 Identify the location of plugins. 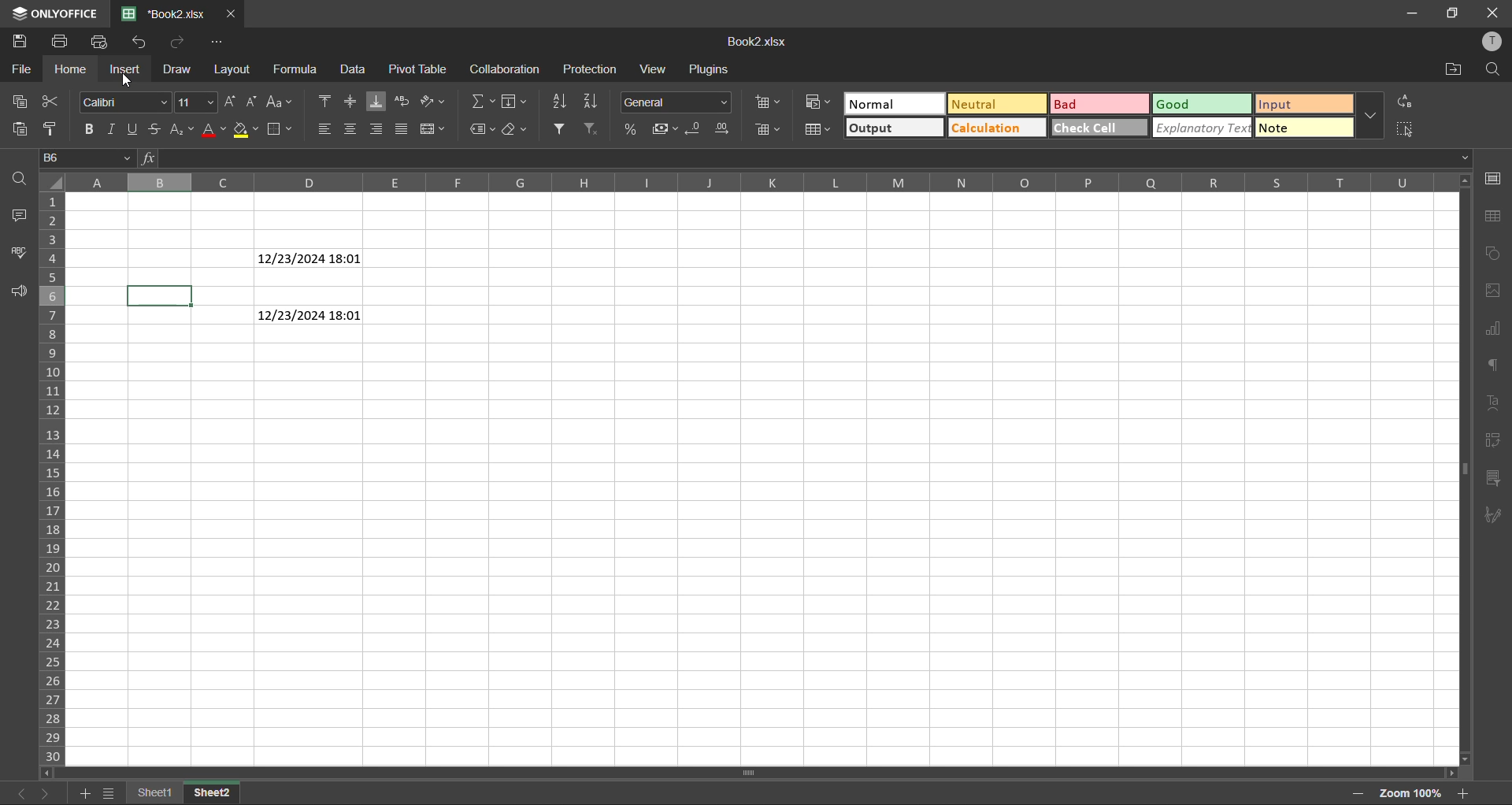
(709, 69).